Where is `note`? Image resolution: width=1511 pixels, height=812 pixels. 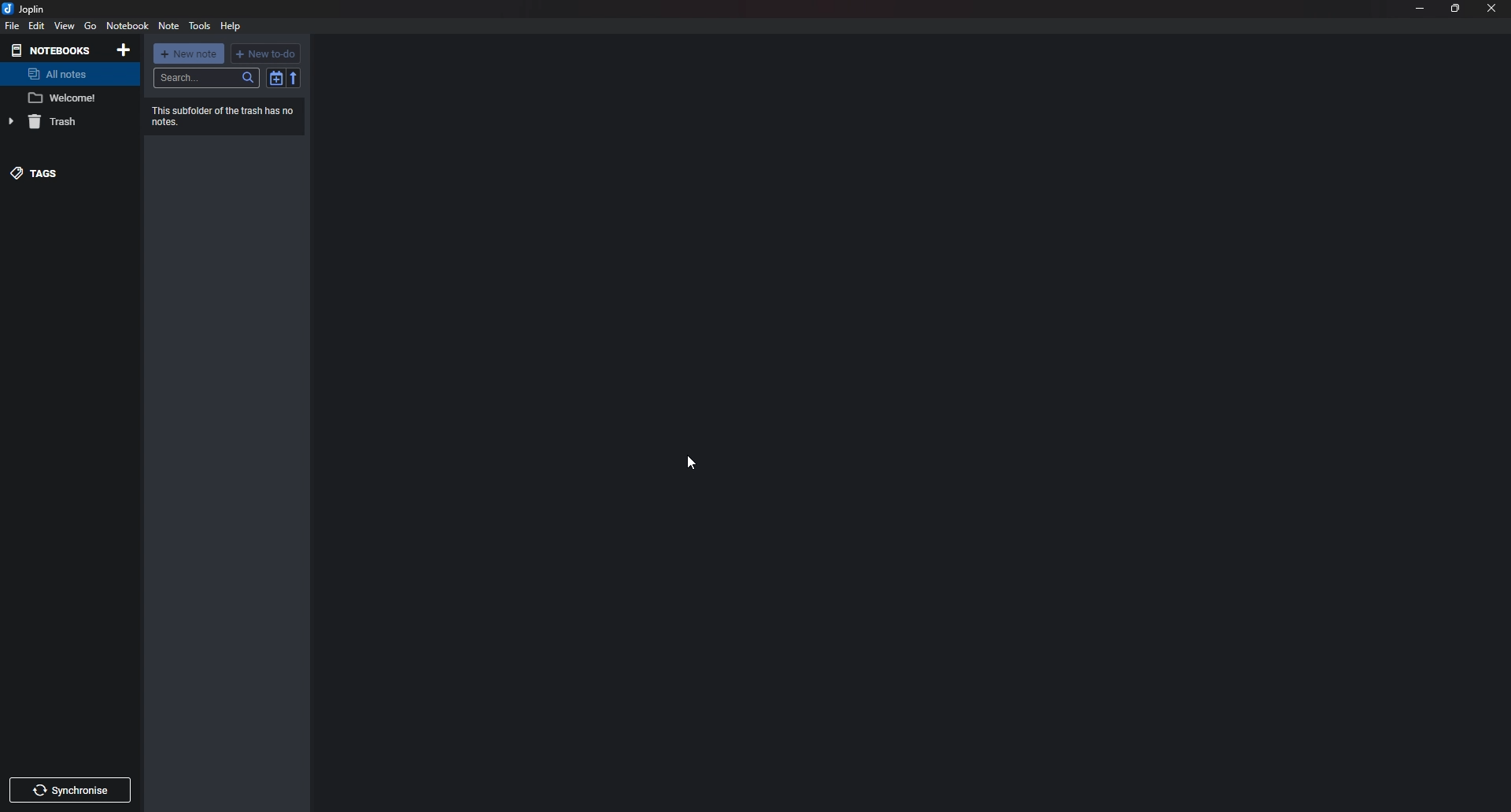 note is located at coordinates (169, 28).